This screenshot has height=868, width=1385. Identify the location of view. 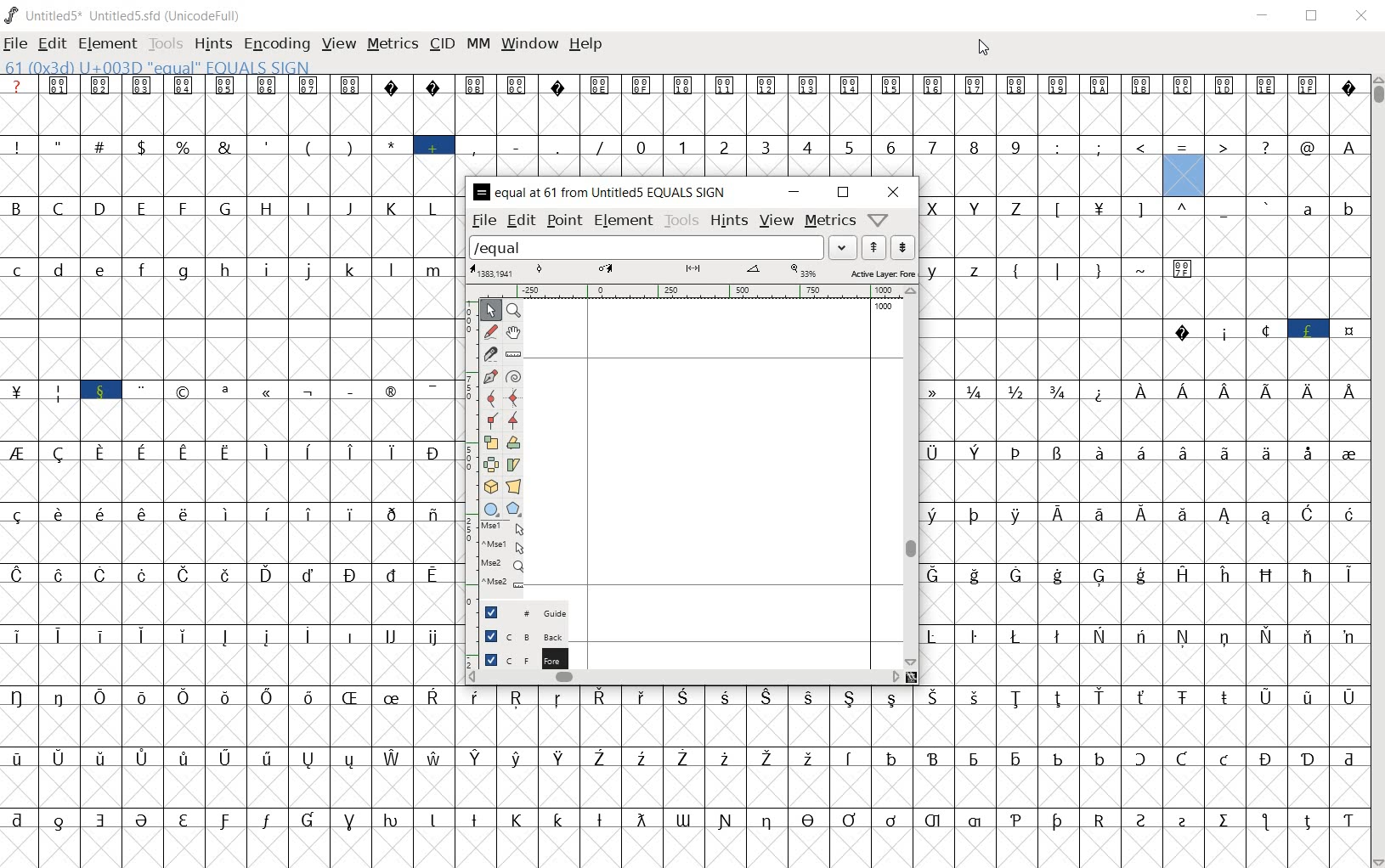
(776, 222).